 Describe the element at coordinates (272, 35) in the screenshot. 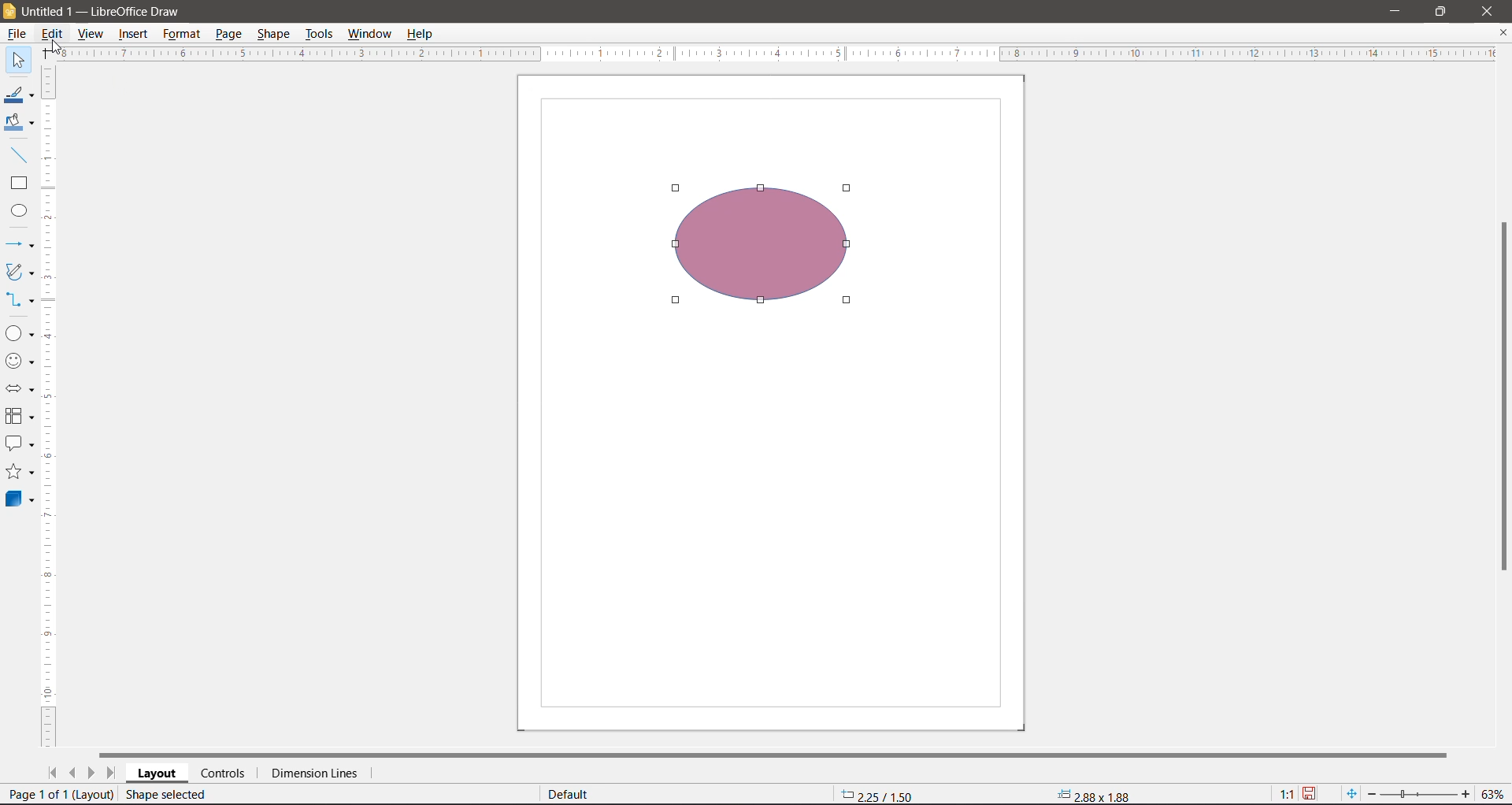

I see `Shape` at that location.